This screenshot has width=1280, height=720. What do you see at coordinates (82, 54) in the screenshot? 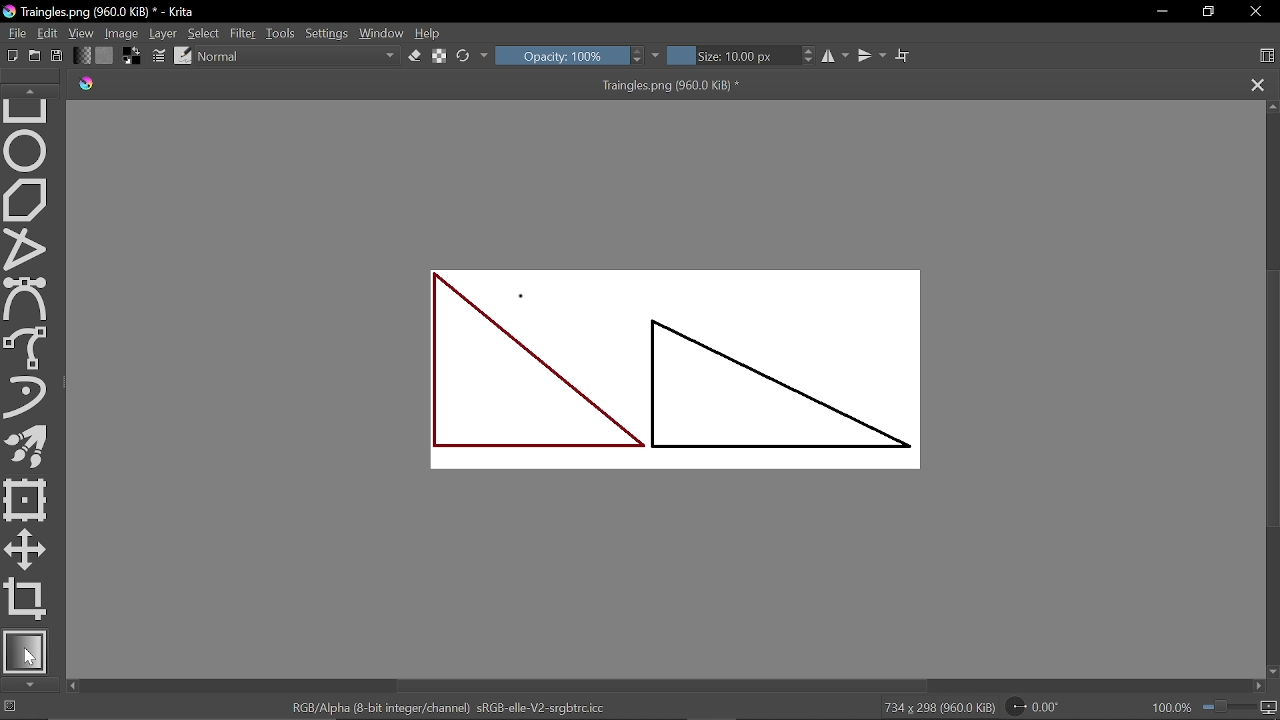
I see `Gradient fill` at bounding box center [82, 54].